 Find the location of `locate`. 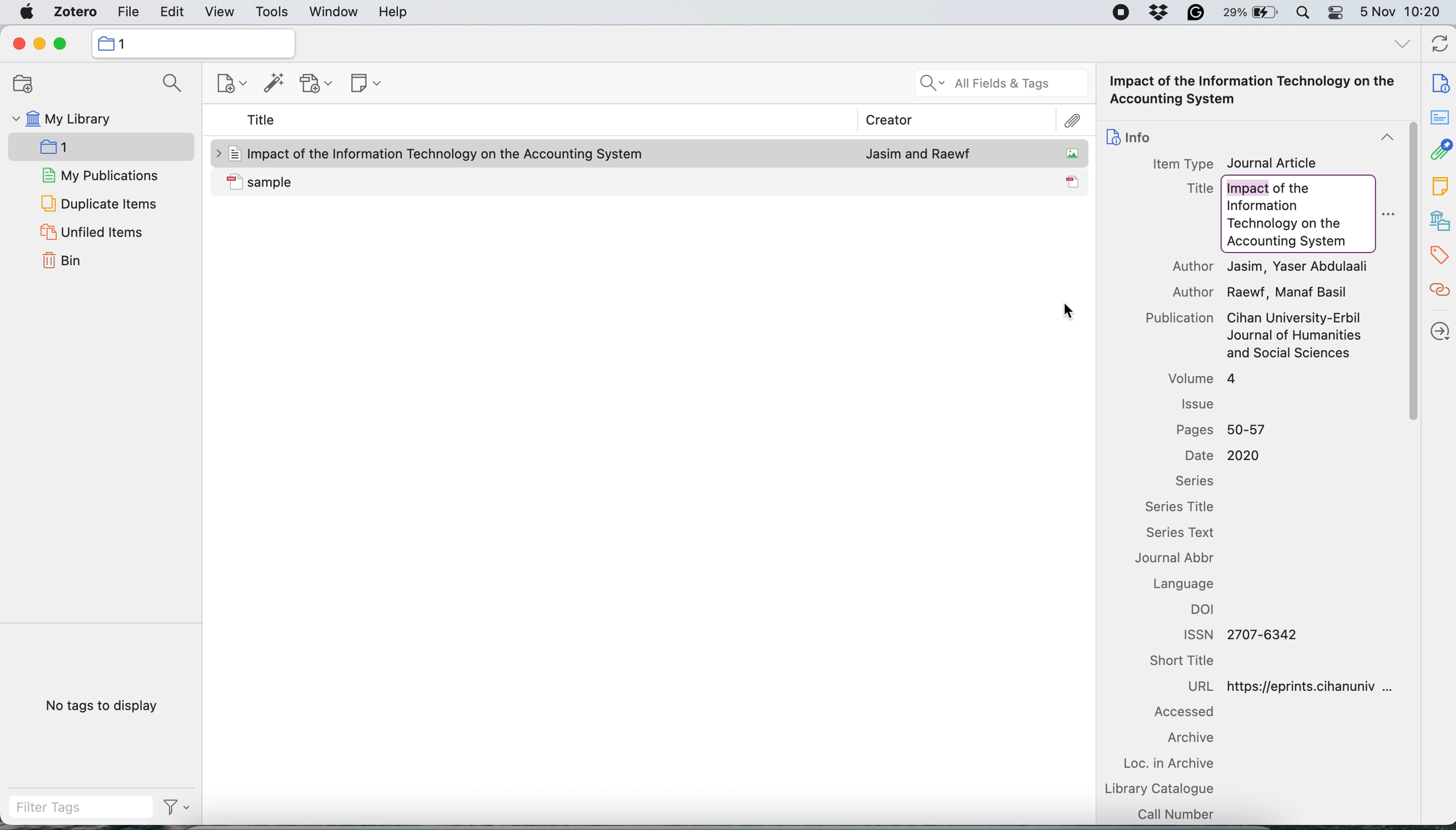

locate is located at coordinates (1438, 332).